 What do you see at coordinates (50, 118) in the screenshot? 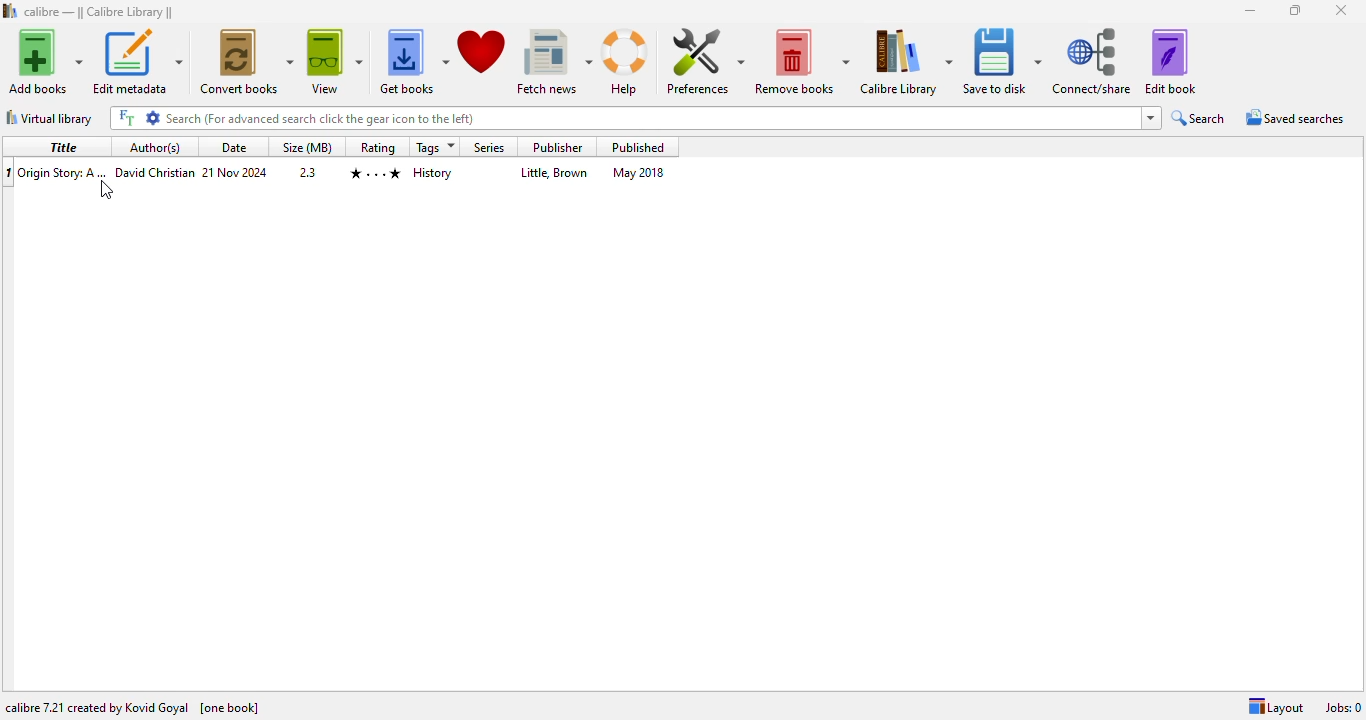
I see `virtual library` at bounding box center [50, 118].